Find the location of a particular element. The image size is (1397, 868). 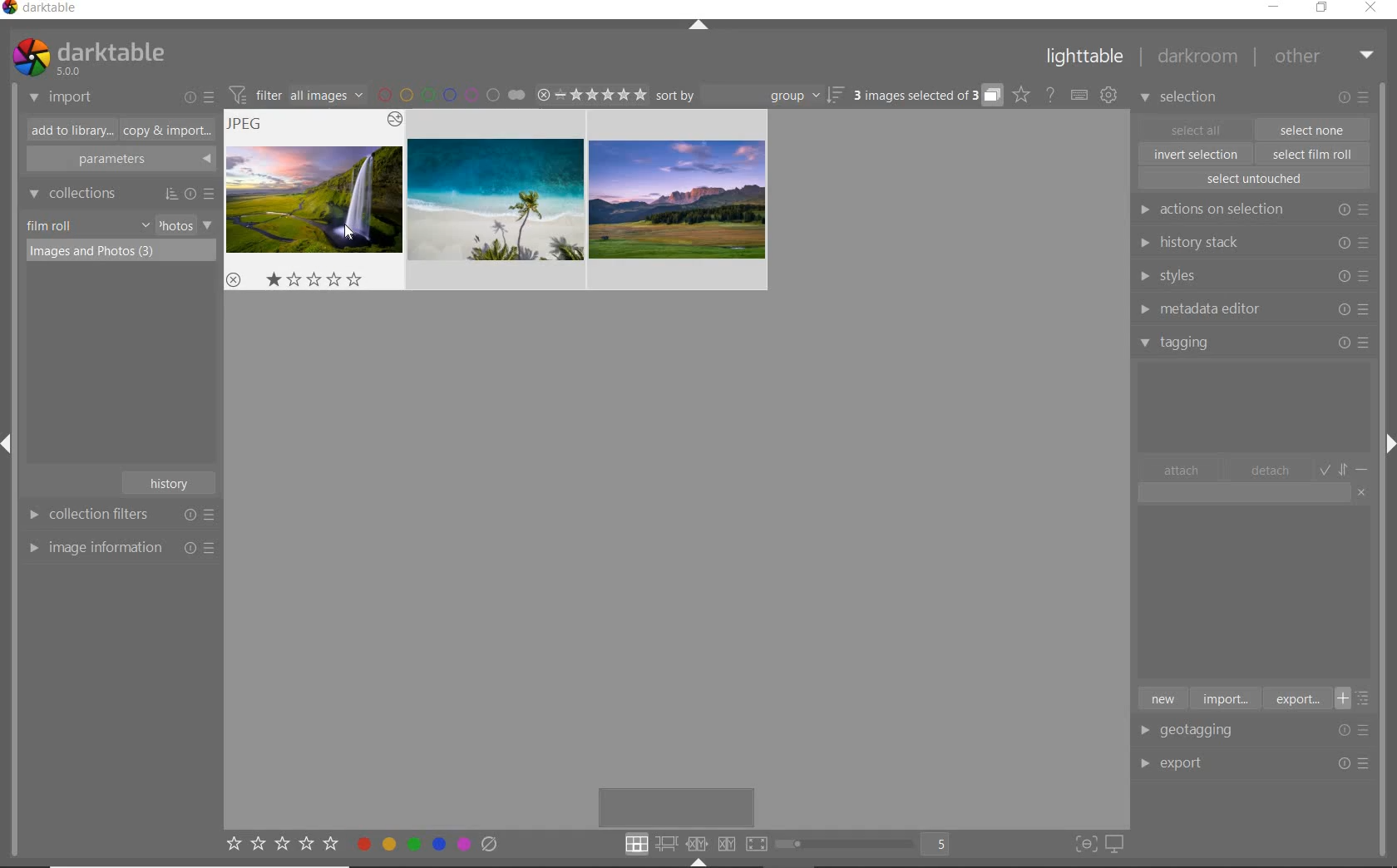

expand/collapse is located at coordinates (699, 27).